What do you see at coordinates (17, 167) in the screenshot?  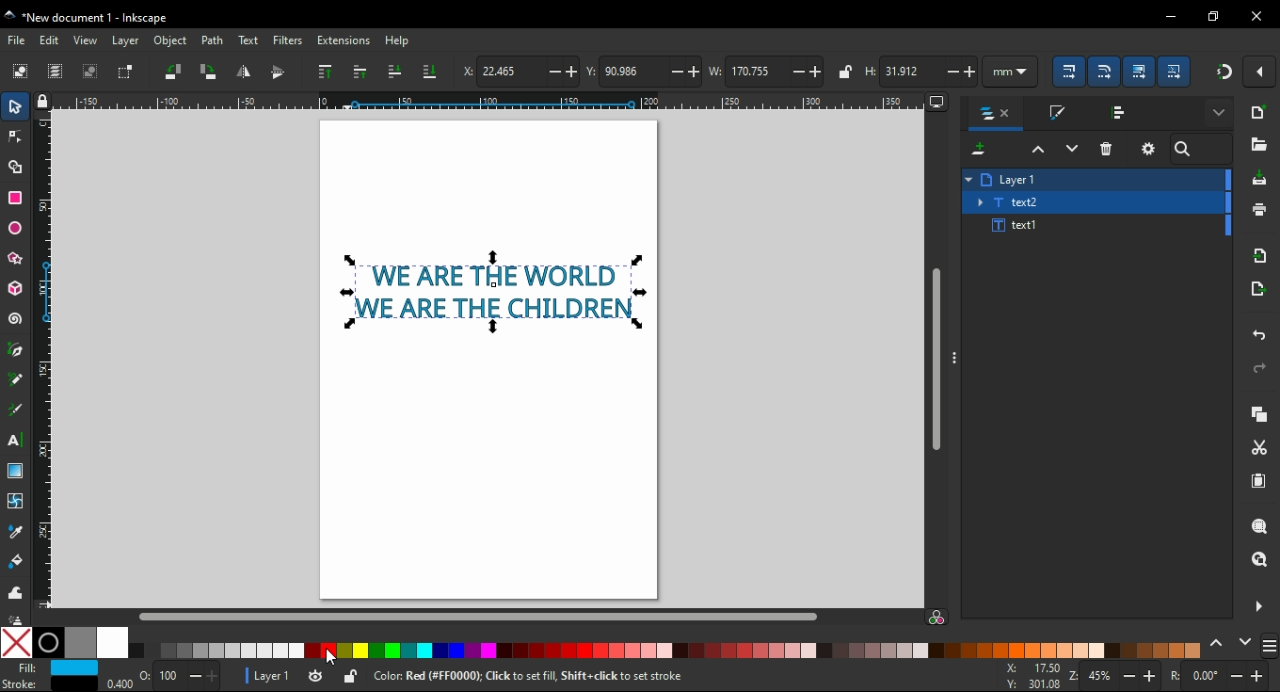 I see `shape builder tool` at bounding box center [17, 167].